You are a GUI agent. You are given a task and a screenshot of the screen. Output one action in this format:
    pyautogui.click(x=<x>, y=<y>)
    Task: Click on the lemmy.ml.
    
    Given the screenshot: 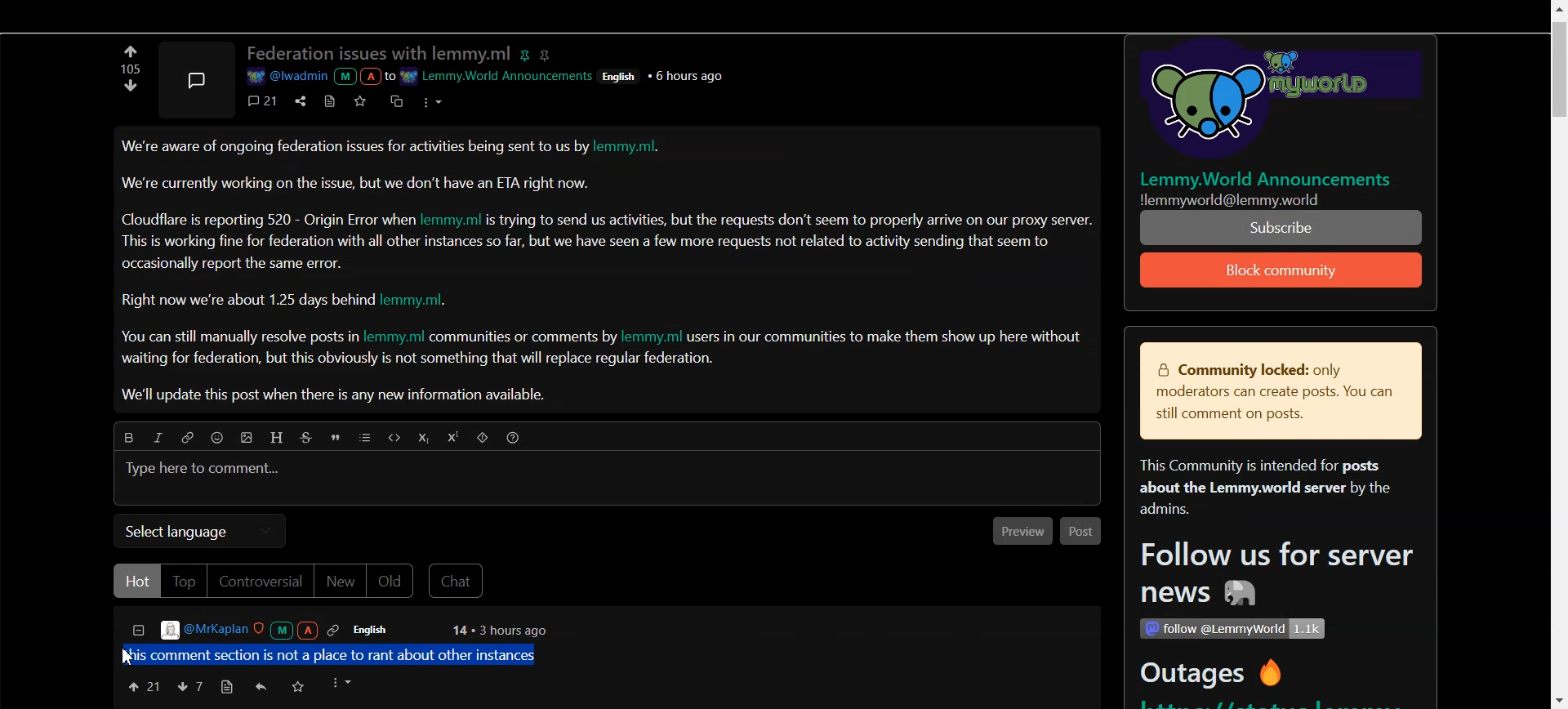 What is the action you would take?
    pyautogui.click(x=423, y=301)
    